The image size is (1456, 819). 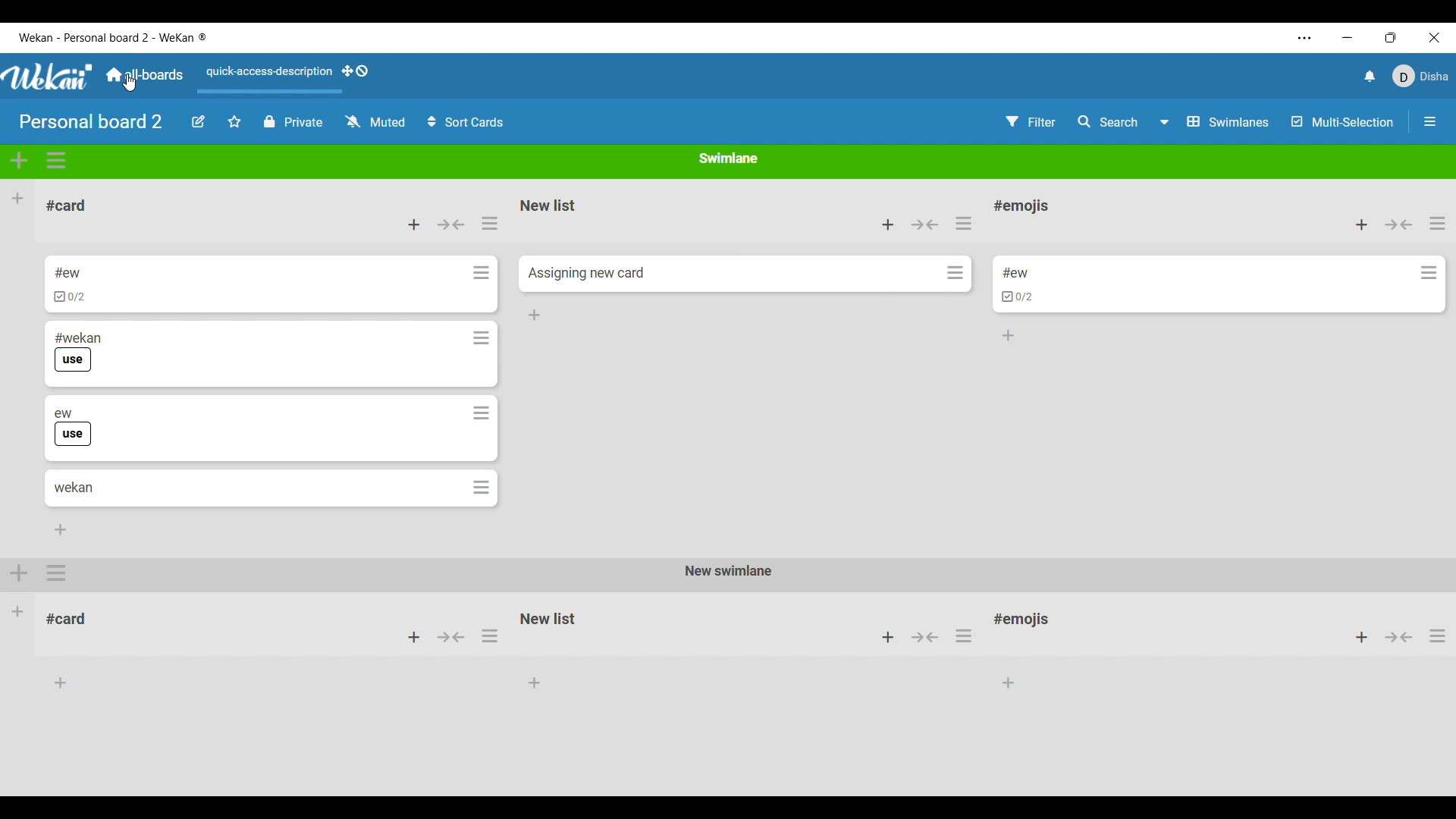 I want to click on collapse, so click(x=924, y=640).